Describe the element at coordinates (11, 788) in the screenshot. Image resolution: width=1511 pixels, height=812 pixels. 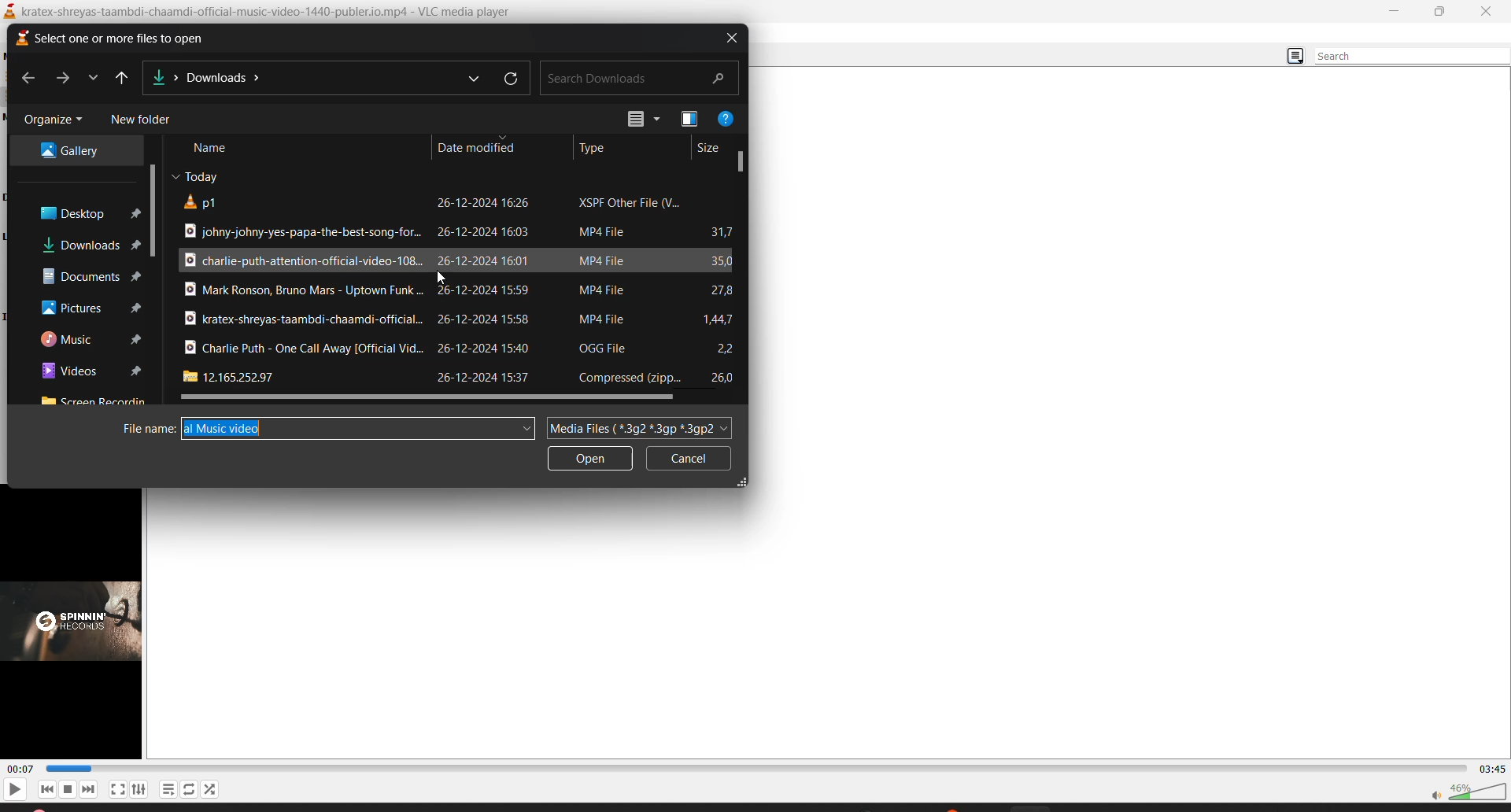
I see `play` at that location.